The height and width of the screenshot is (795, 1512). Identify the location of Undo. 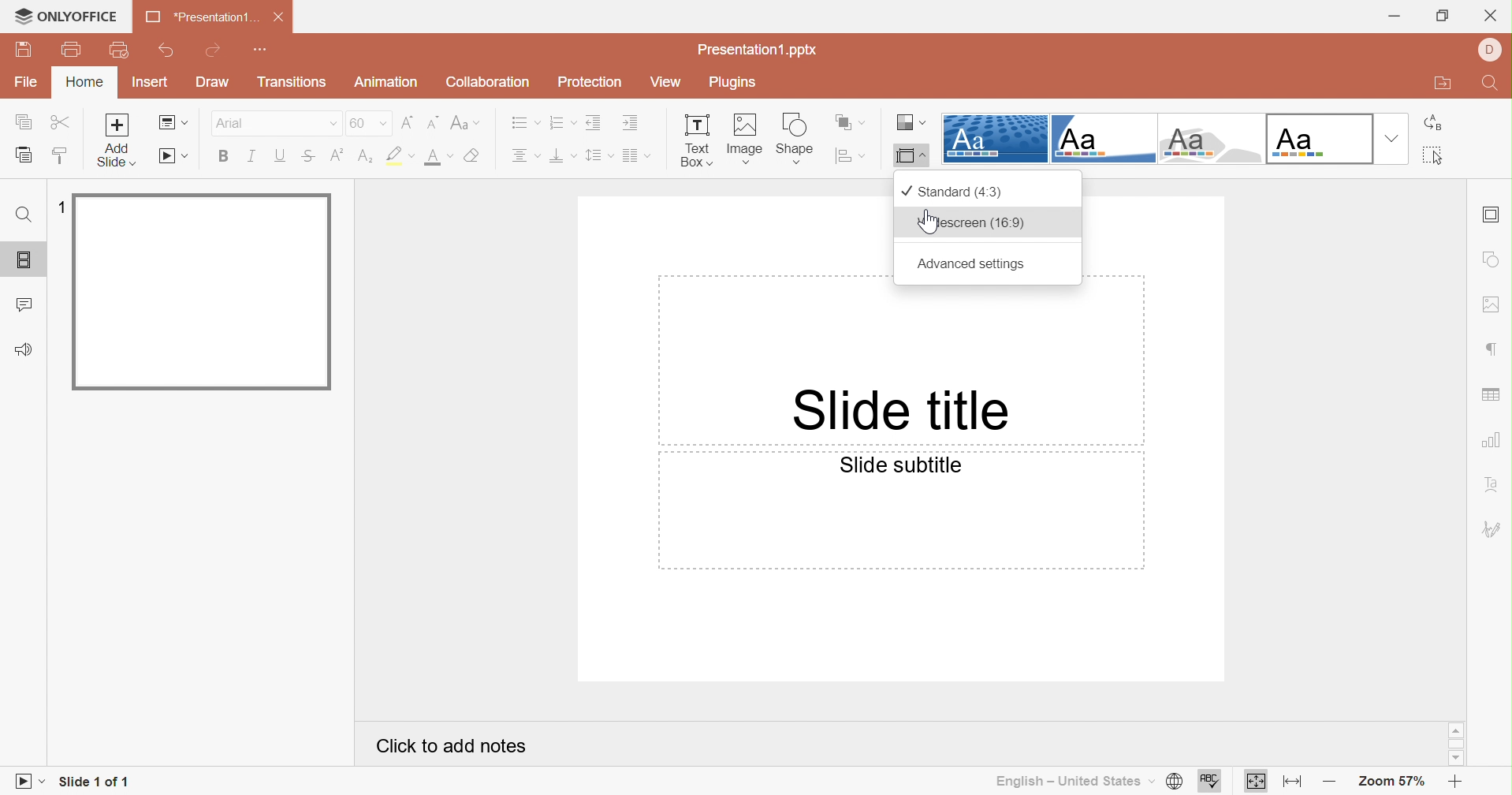
(169, 50).